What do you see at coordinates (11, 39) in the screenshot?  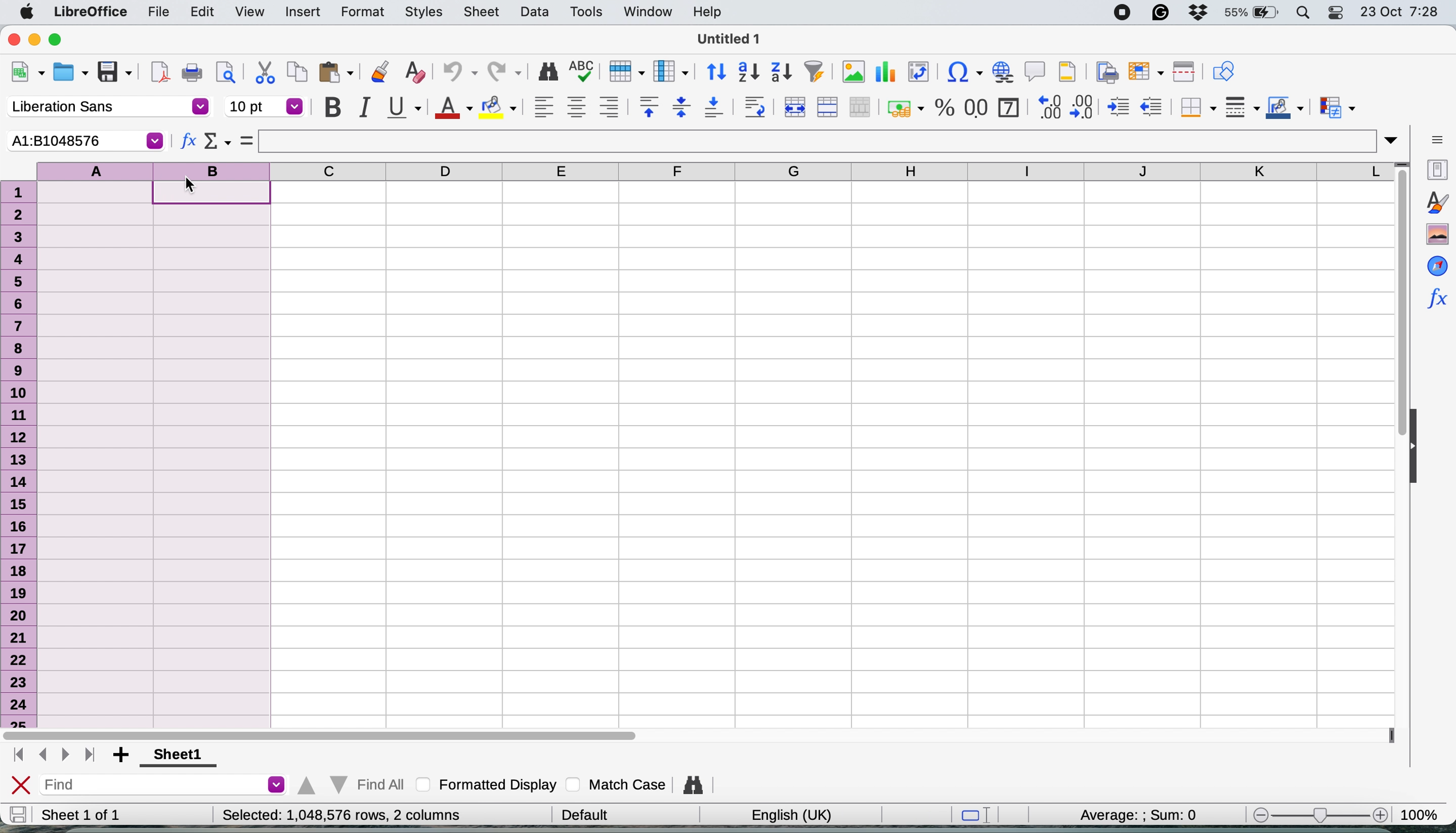 I see `close` at bounding box center [11, 39].